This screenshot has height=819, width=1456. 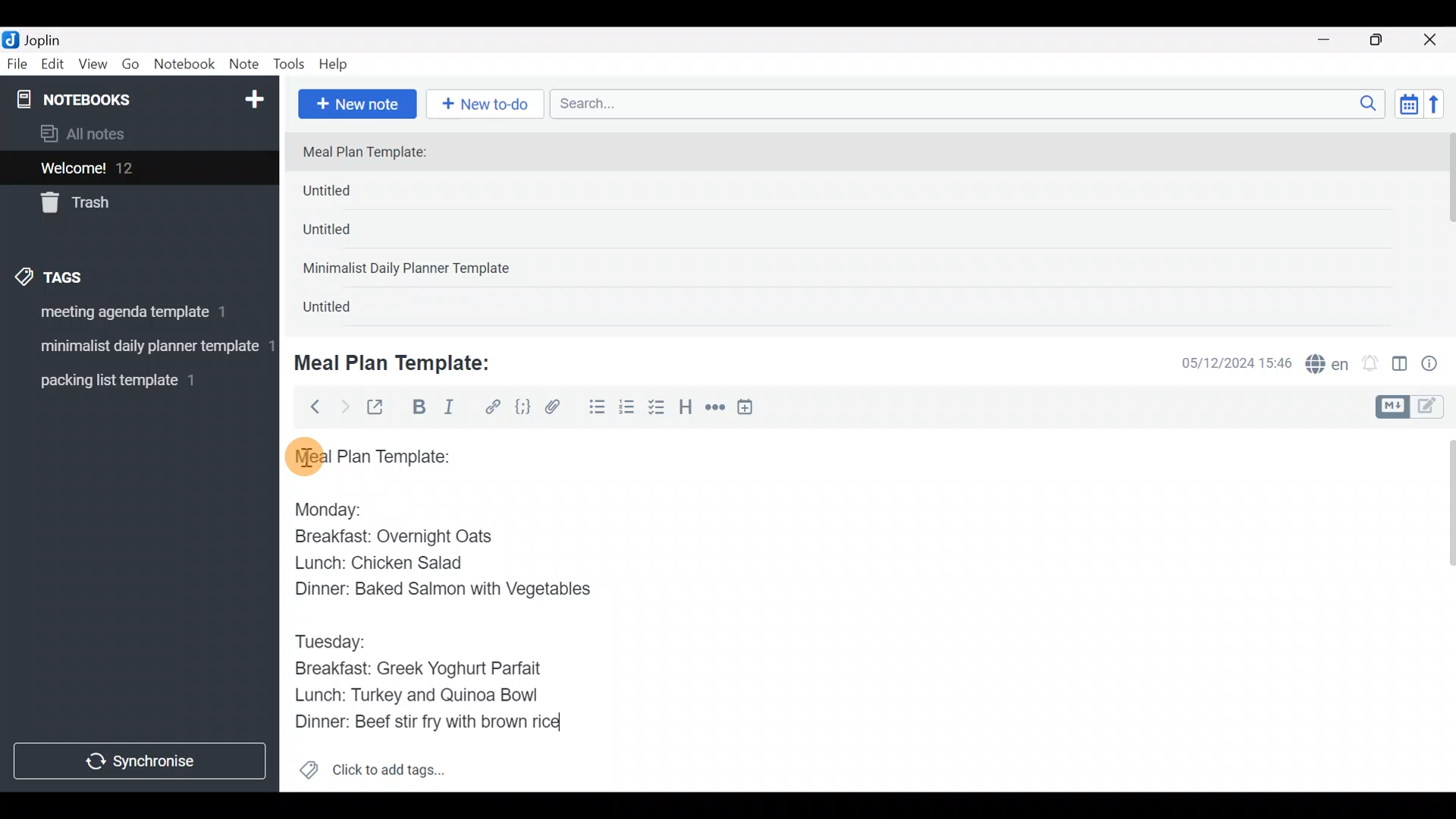 I want to click on Edit, so click(x=53, y=67).